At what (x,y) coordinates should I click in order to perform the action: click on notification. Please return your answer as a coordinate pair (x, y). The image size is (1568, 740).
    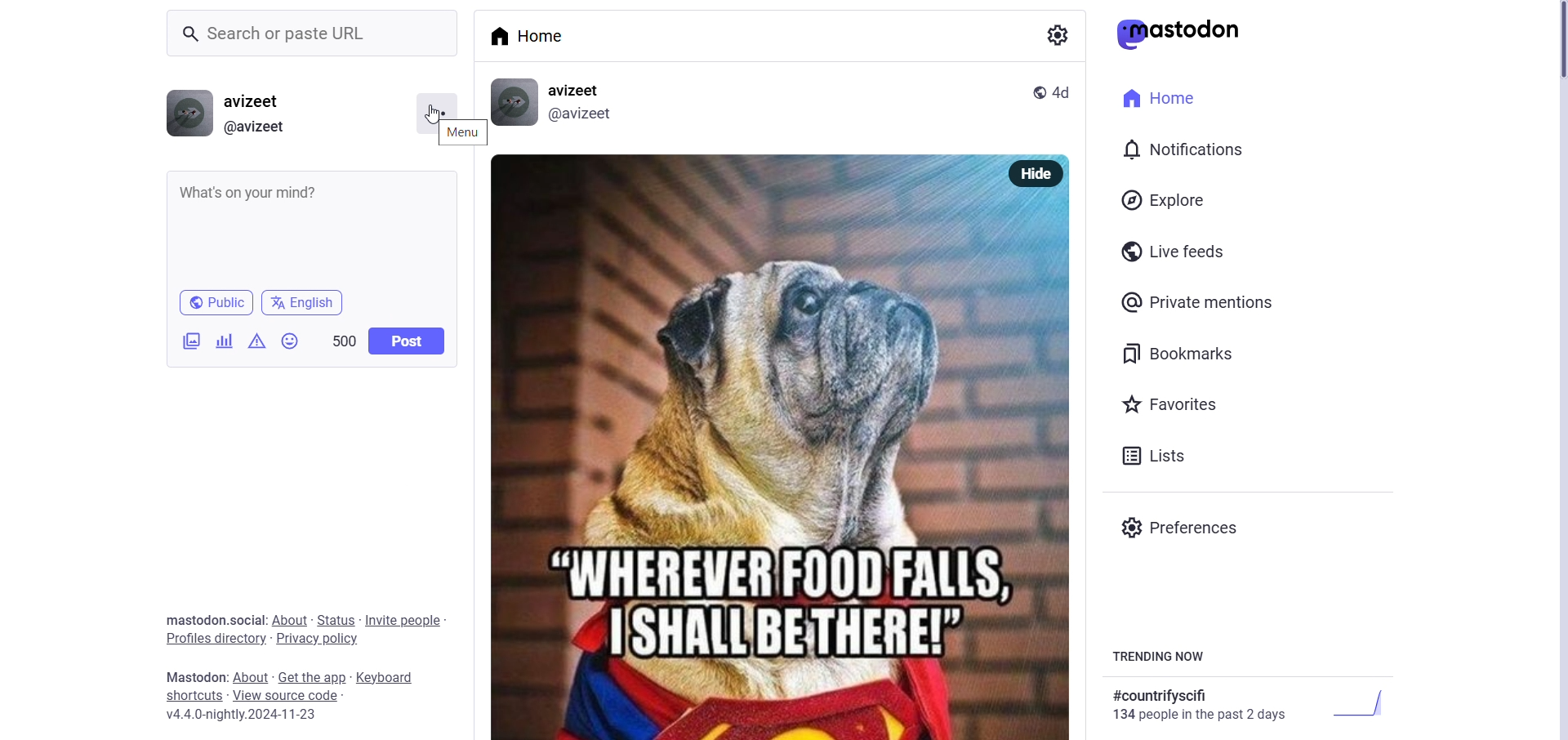
    Looking at the image, I should click on (1183, 148).